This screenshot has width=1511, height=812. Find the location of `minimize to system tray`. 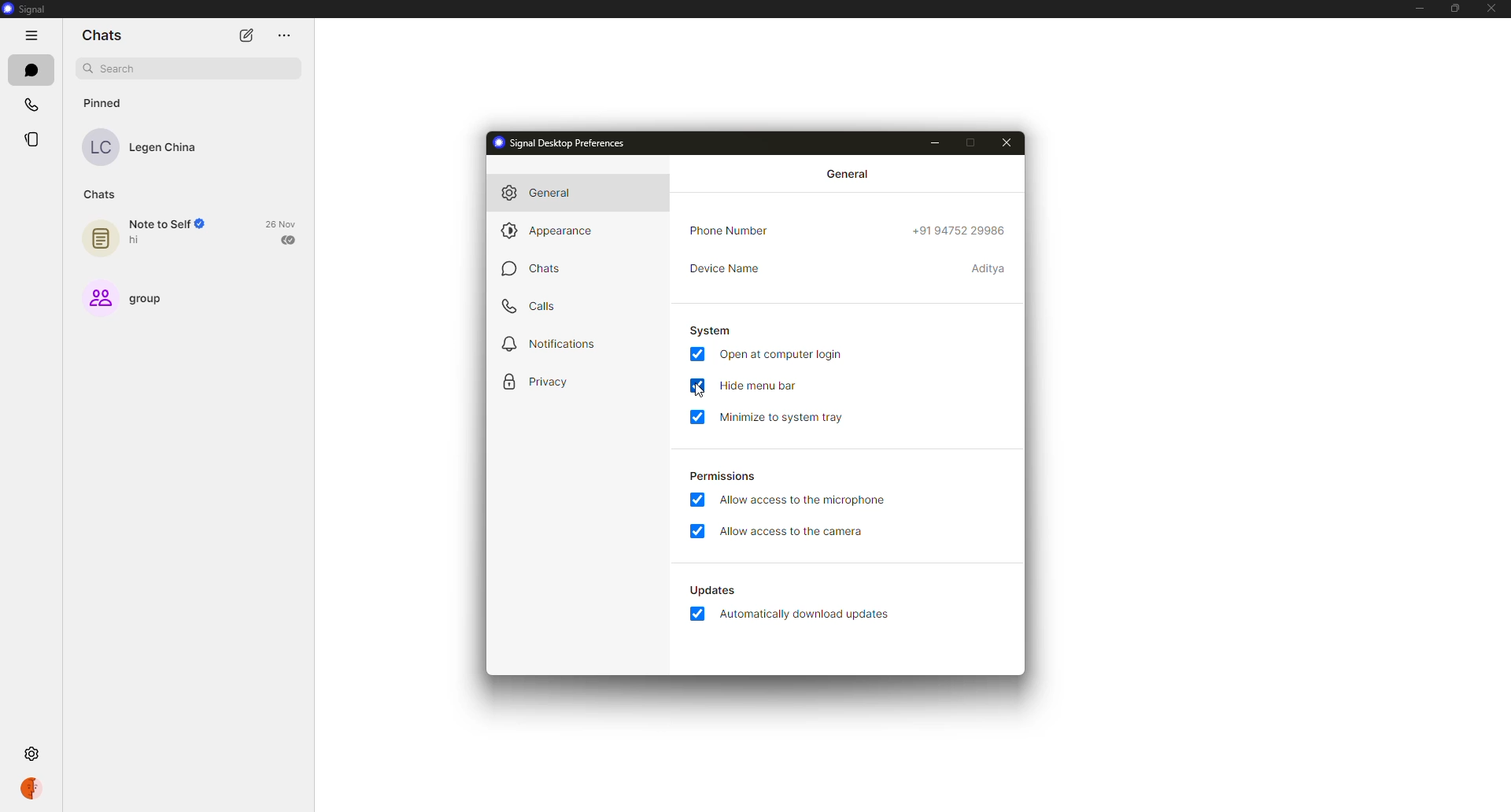

minimize to system tray is located at coordinates (786, 418).